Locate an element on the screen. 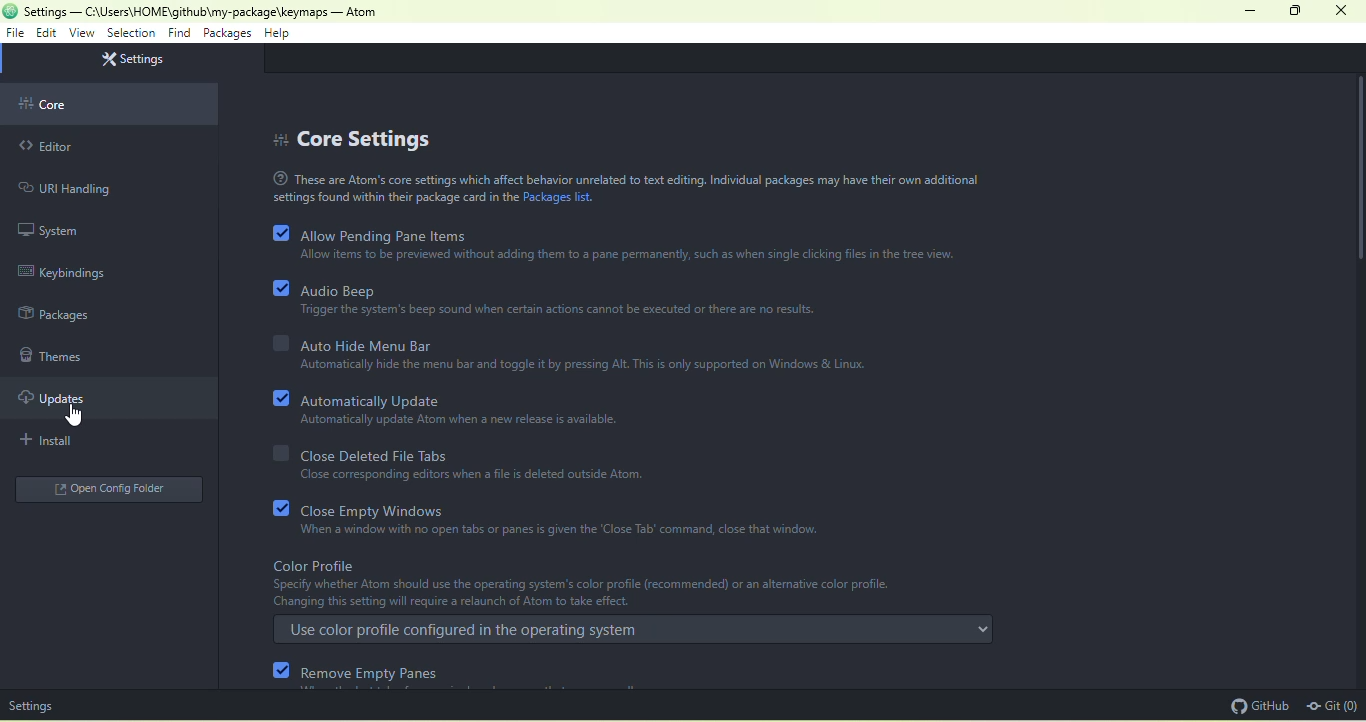 The width and height of the screenshot is (1366, 722). close is located at coordinates (1345, 10).